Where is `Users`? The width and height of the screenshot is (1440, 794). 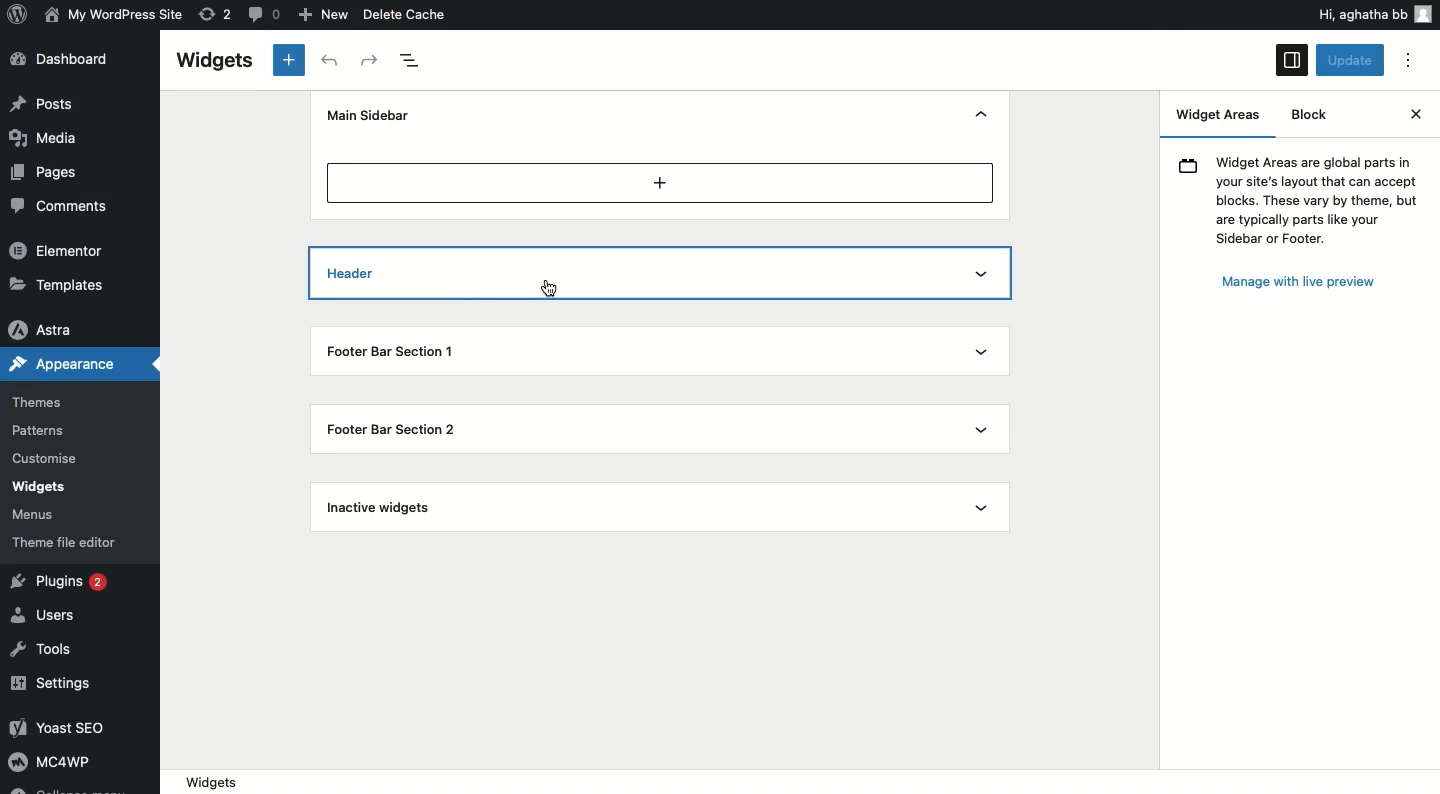 Users is located at coordinates (48, 613).